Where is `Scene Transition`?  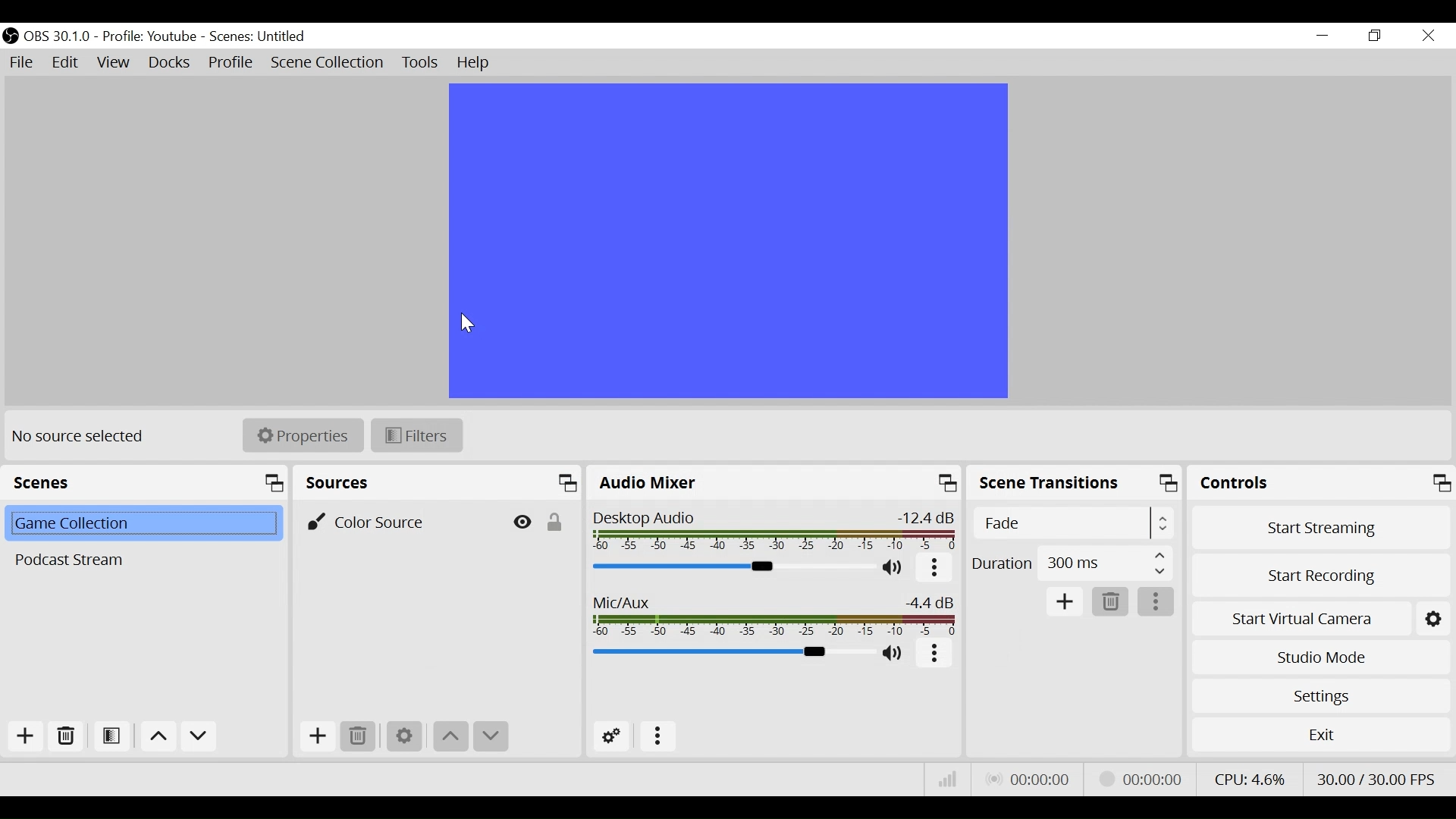 Scene Transition is located at coordinates (1075, 484).